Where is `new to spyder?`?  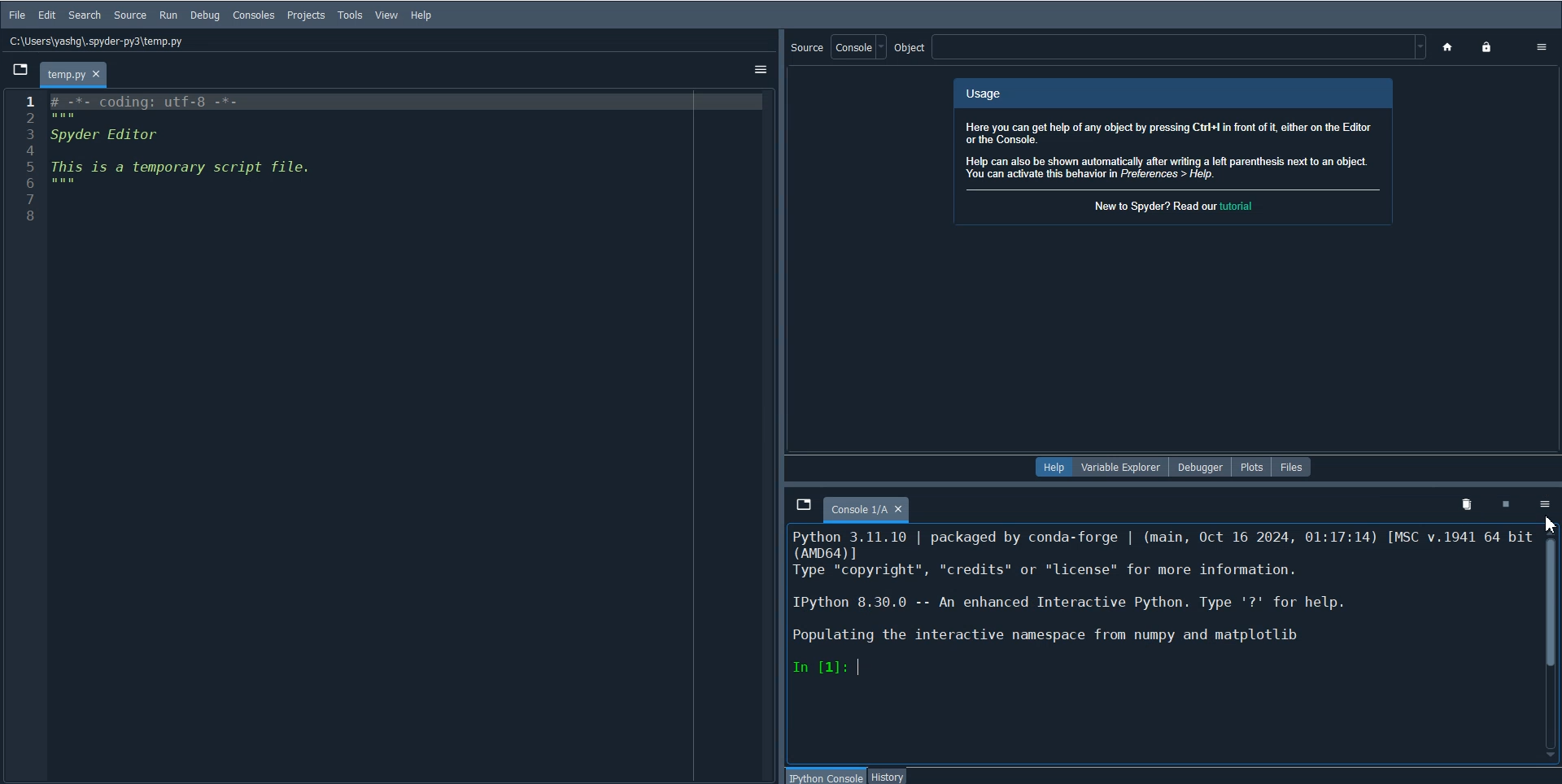
new to spyder? is located at coordinates (1154, 207).